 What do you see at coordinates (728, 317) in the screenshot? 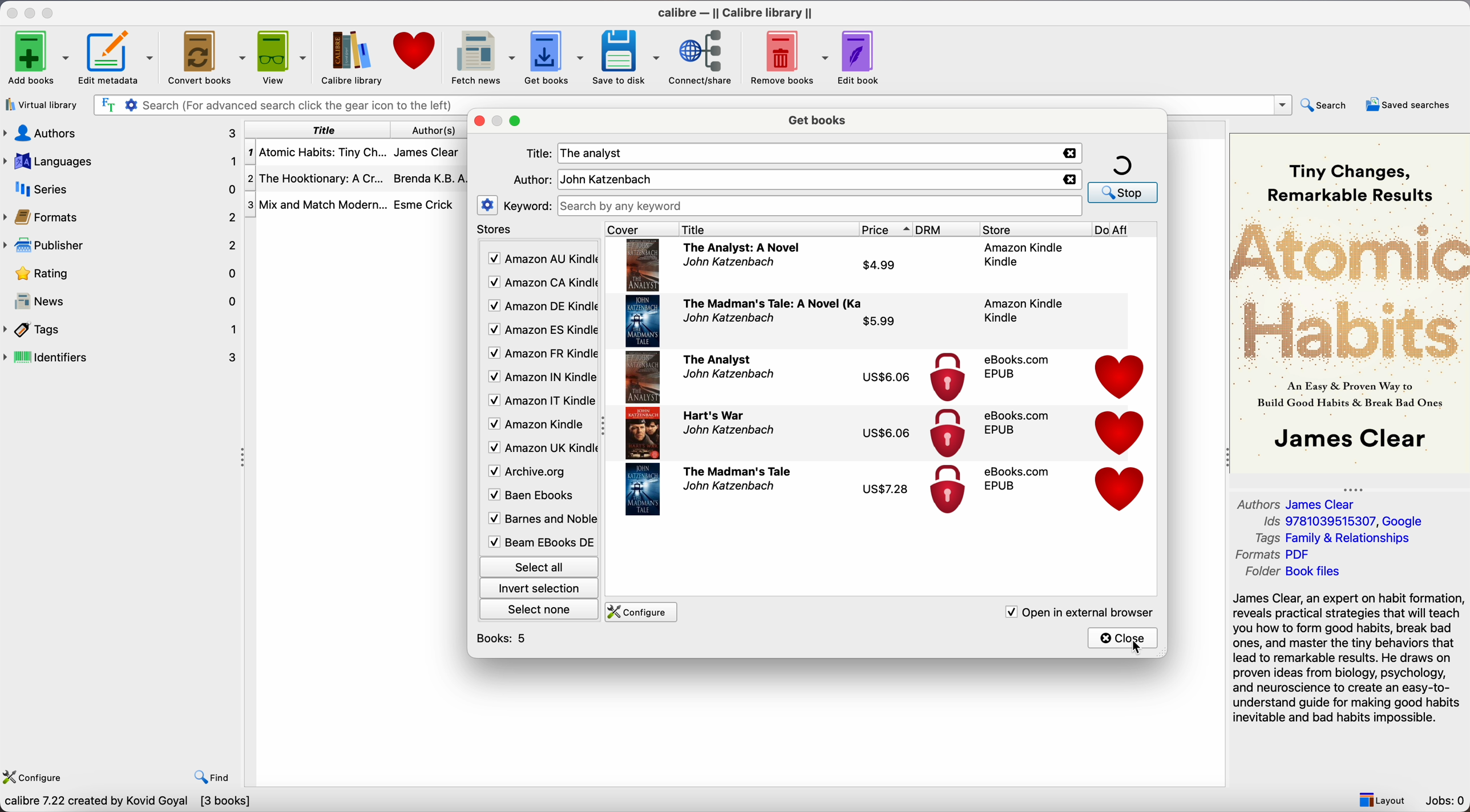
I see `John Katzenbach` at bounding box center [728, 317].